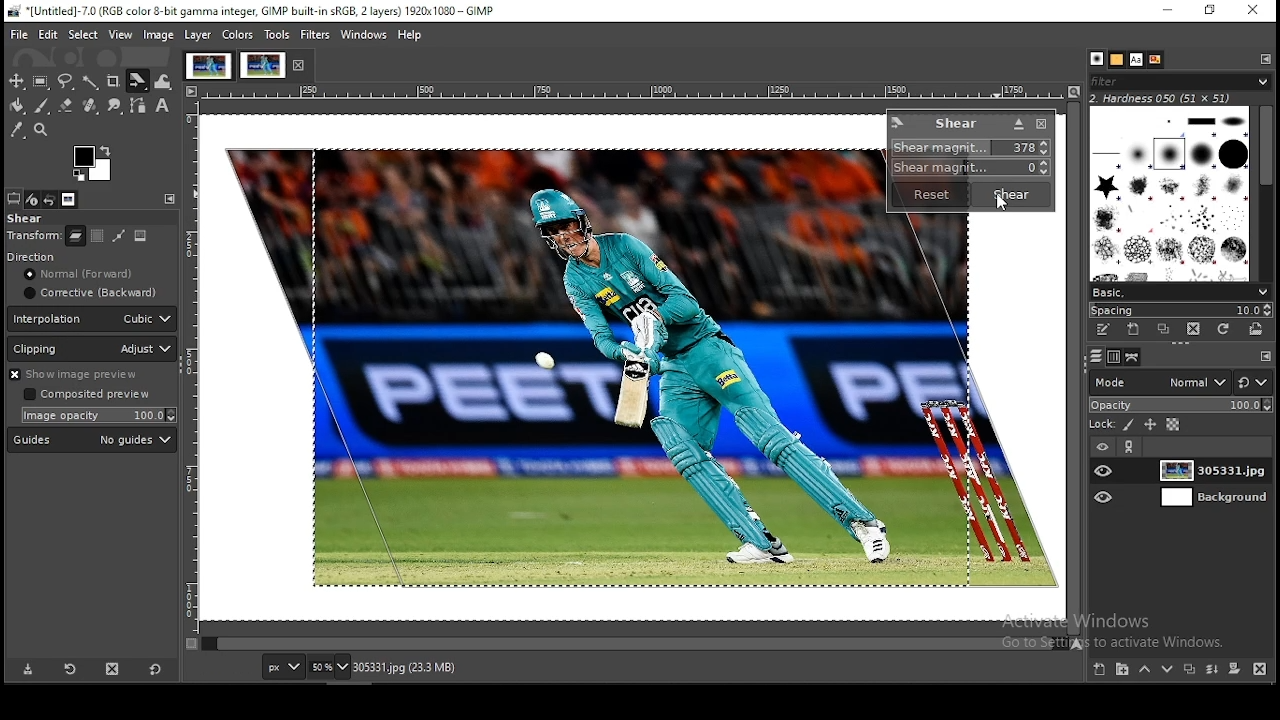 The width and height of the screenshot is (1280, 720). What do you see at coordinates (956, 123) in the screenshot?
I see `shear` at bounding box center [956, 123].